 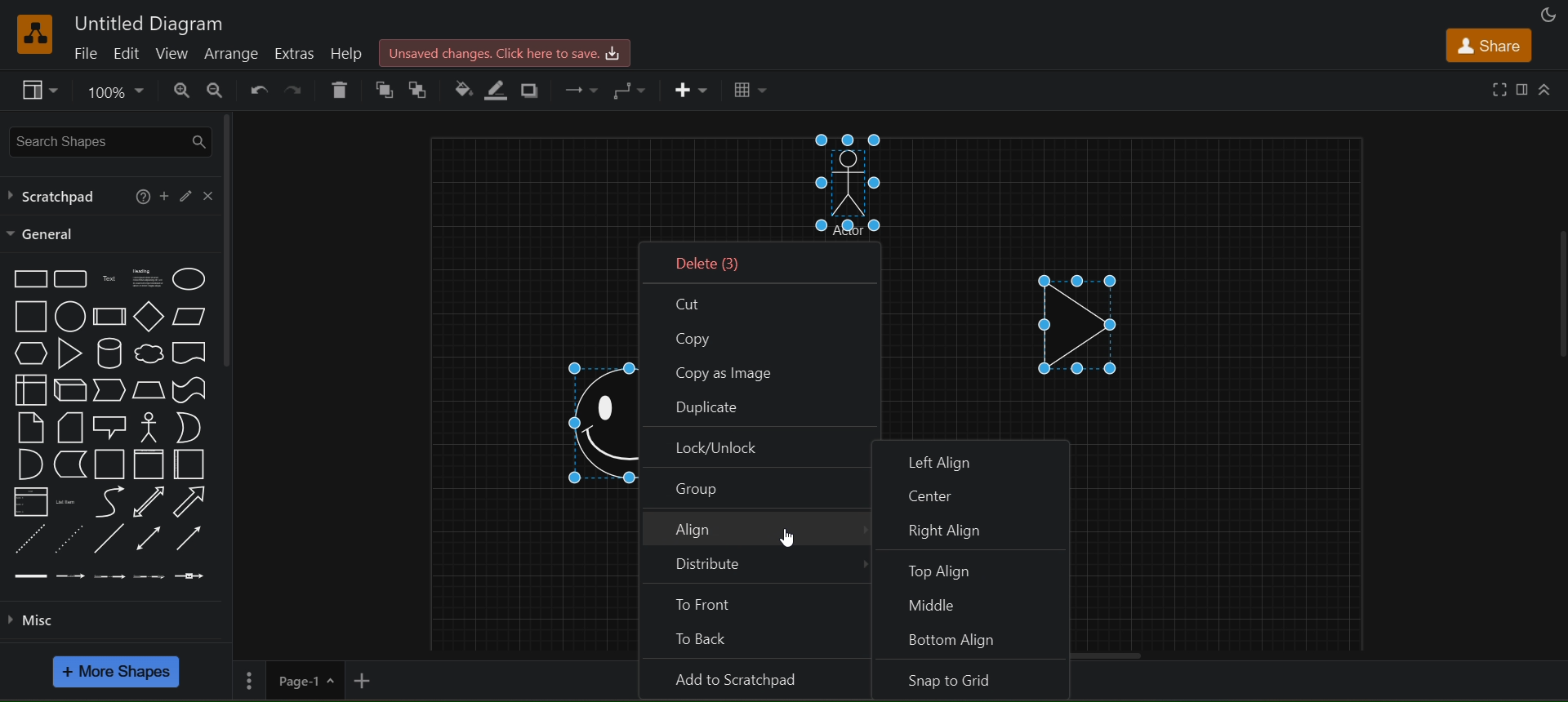 I want to click on cube, so click(x=67, y=389).